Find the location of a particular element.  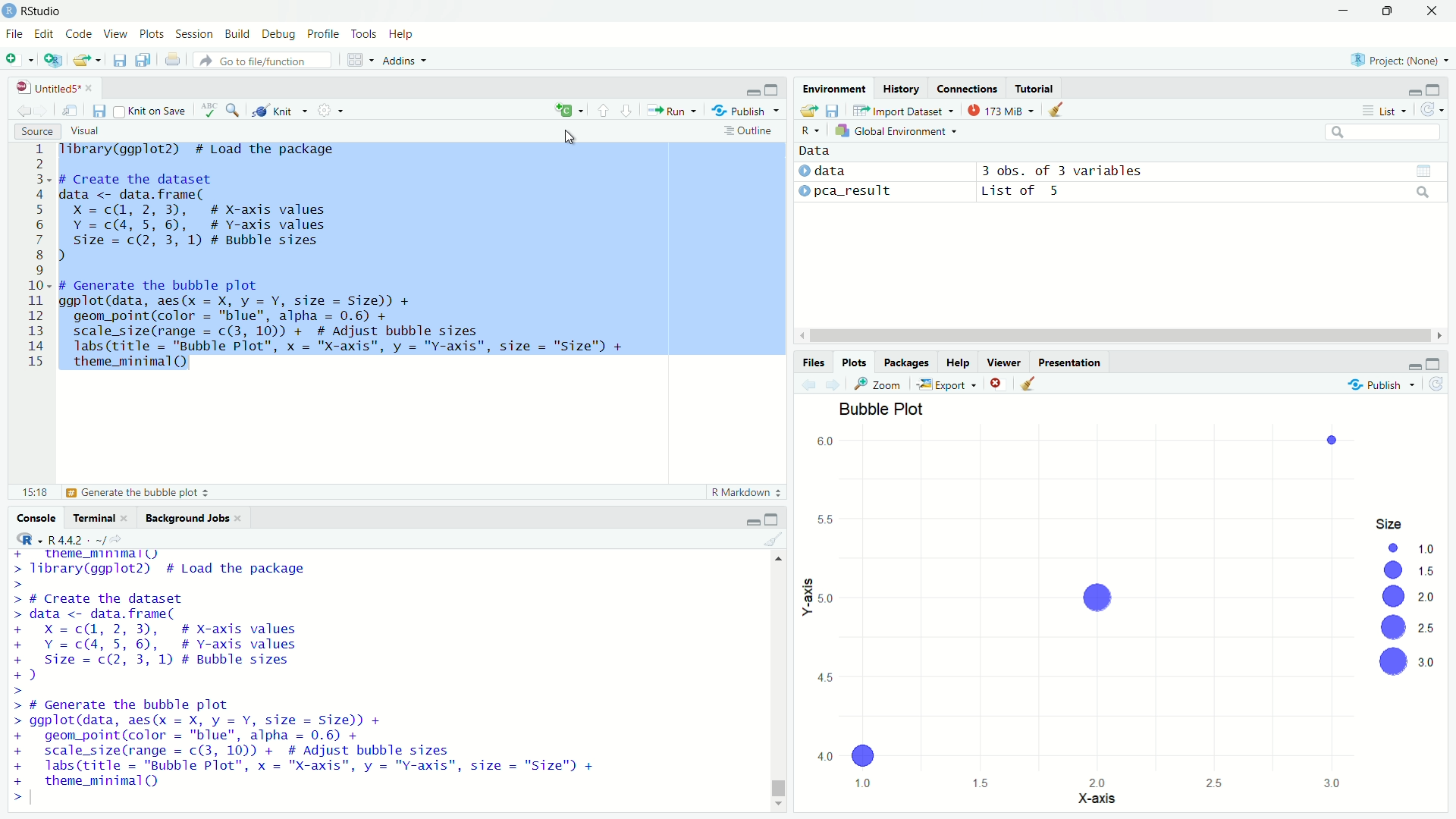

knit is located at coordinates (281, 109).